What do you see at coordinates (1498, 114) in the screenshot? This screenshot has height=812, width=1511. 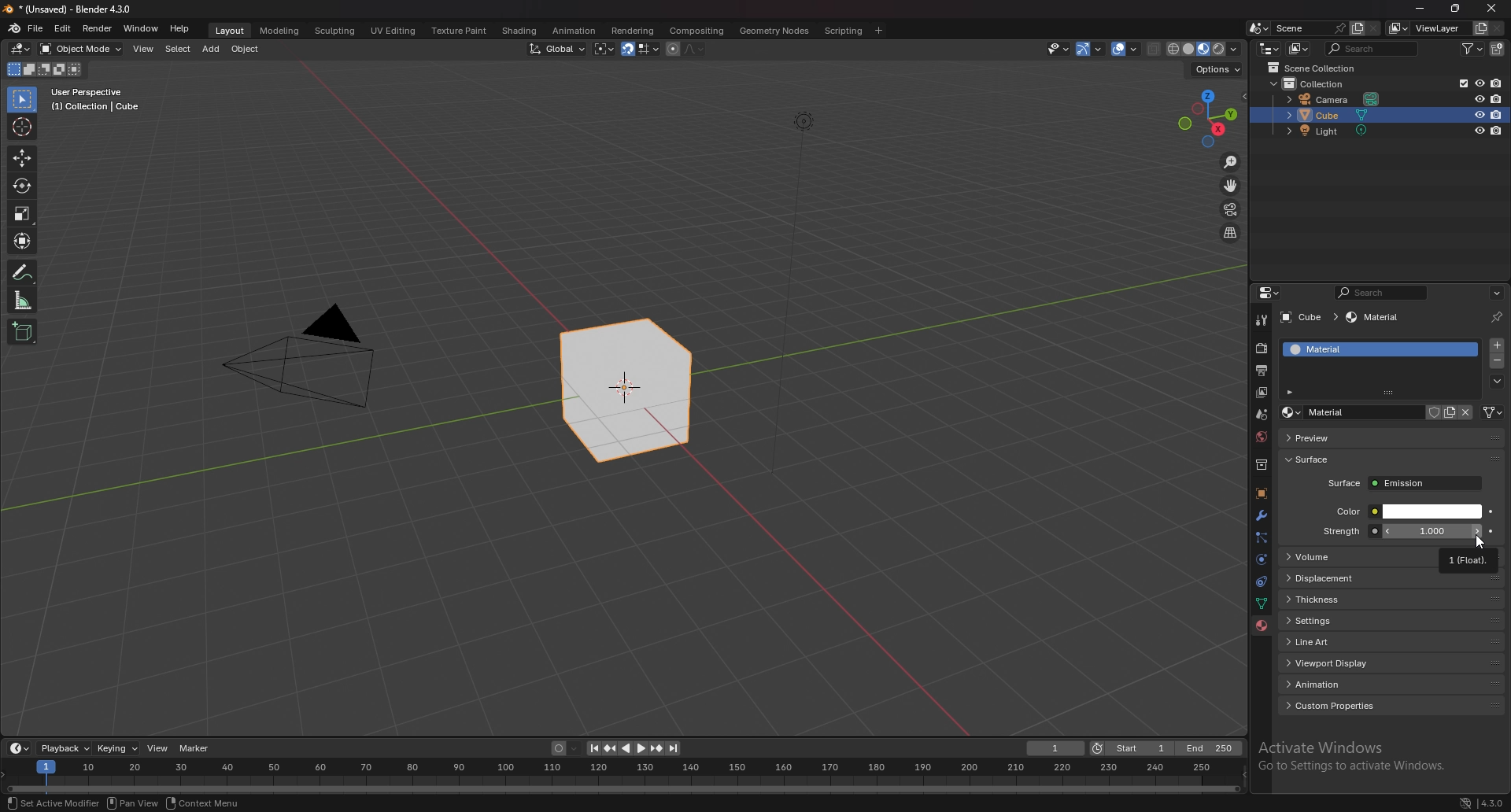 I see `disable in renders` at bounding box center [1498, 114].